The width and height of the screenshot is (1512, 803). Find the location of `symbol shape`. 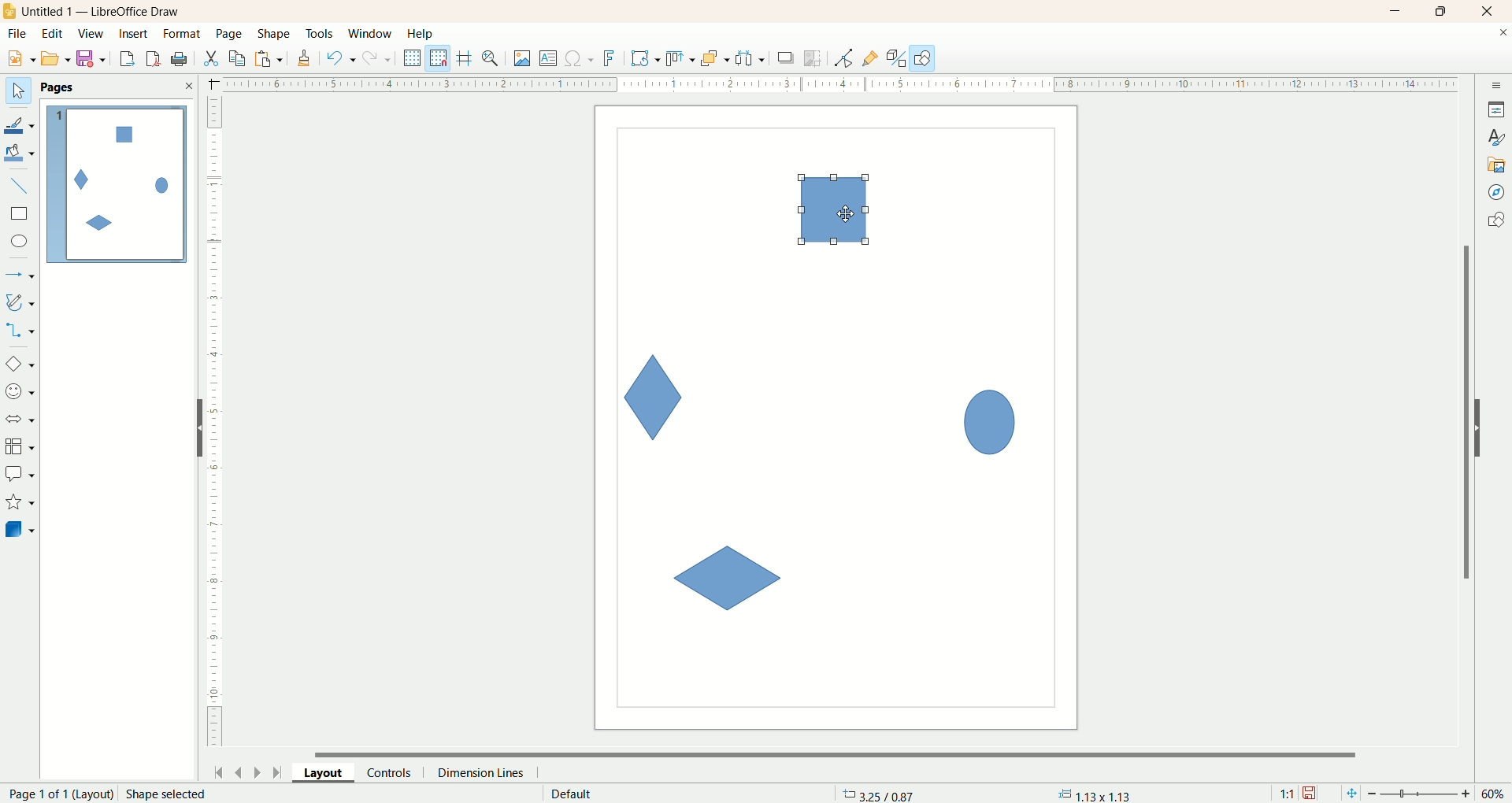

symbol shape is located at coordinates (22, 393).